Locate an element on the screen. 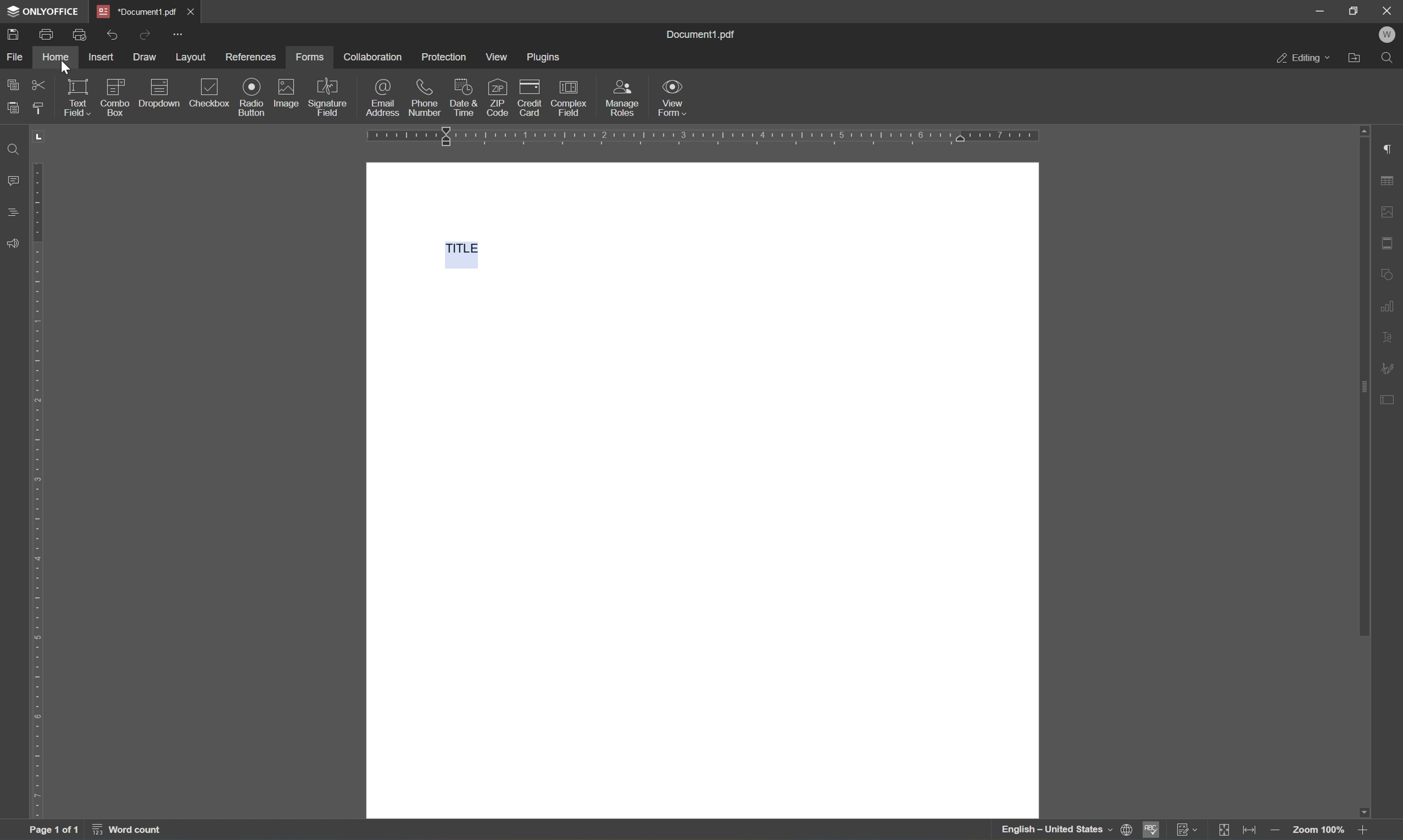  comments is located at coordinates (12, 212).